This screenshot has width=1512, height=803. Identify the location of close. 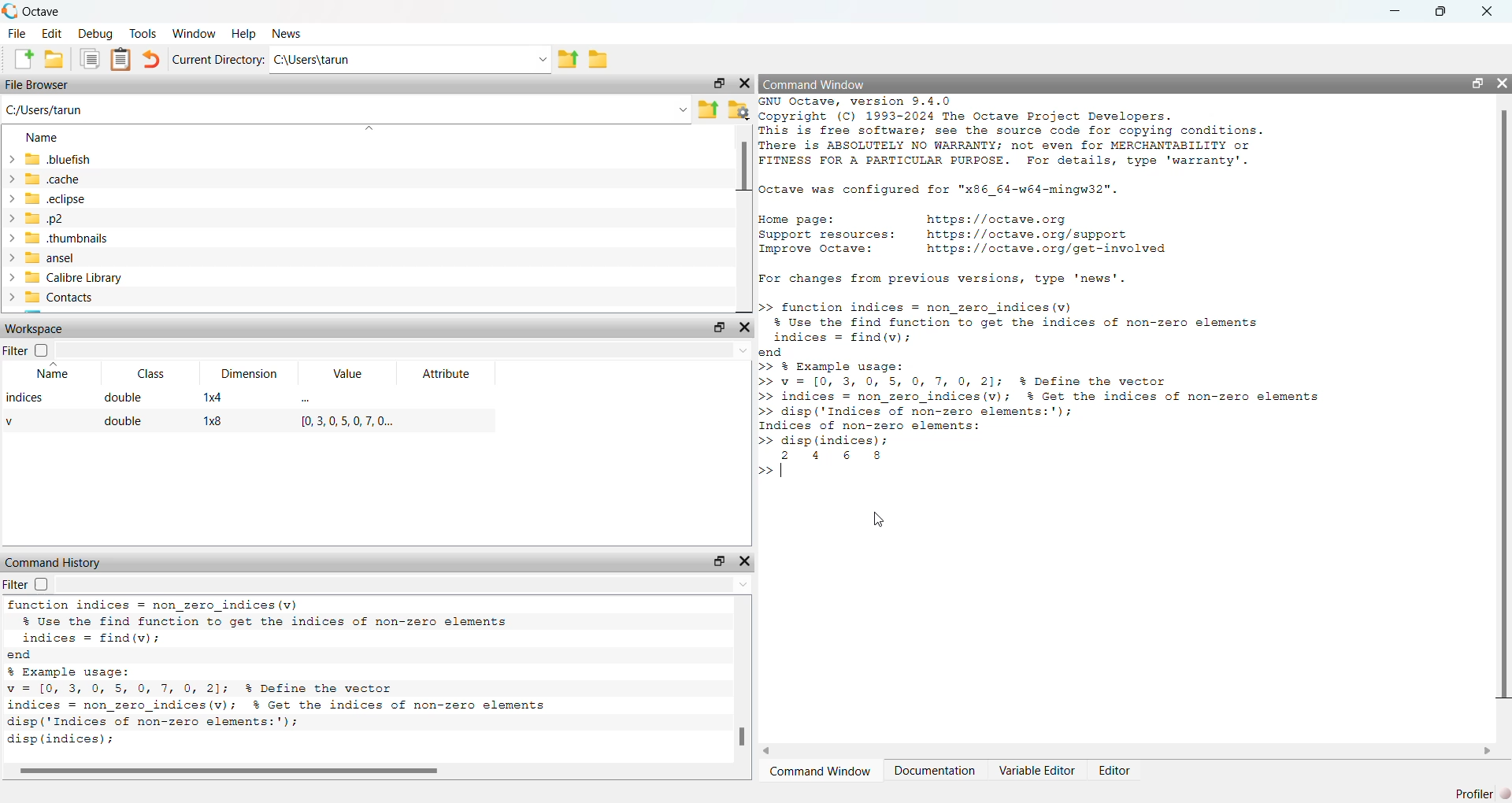
(745, 86).